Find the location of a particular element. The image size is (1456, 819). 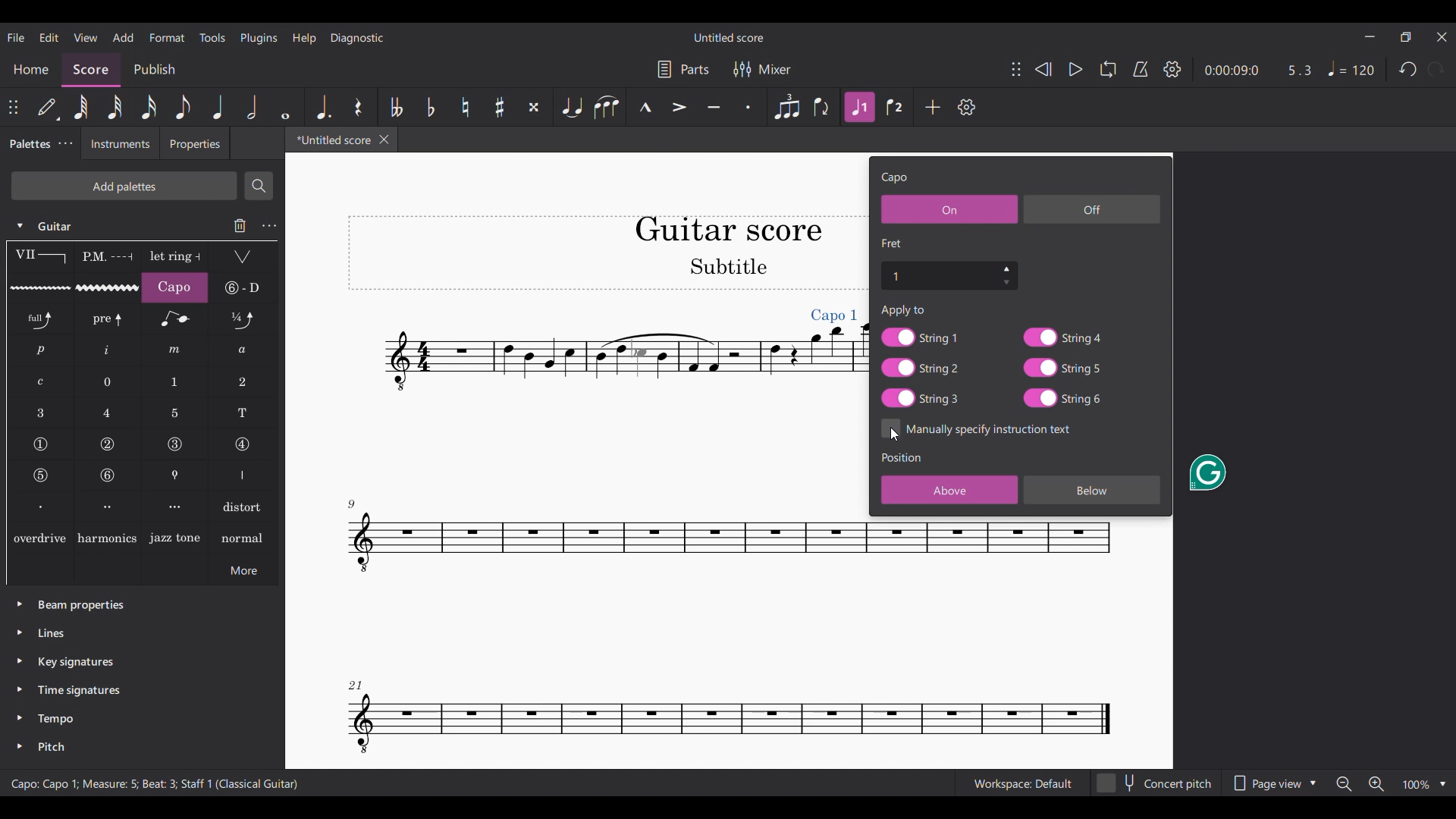

Rewind is located at coordinates (1043, 69).